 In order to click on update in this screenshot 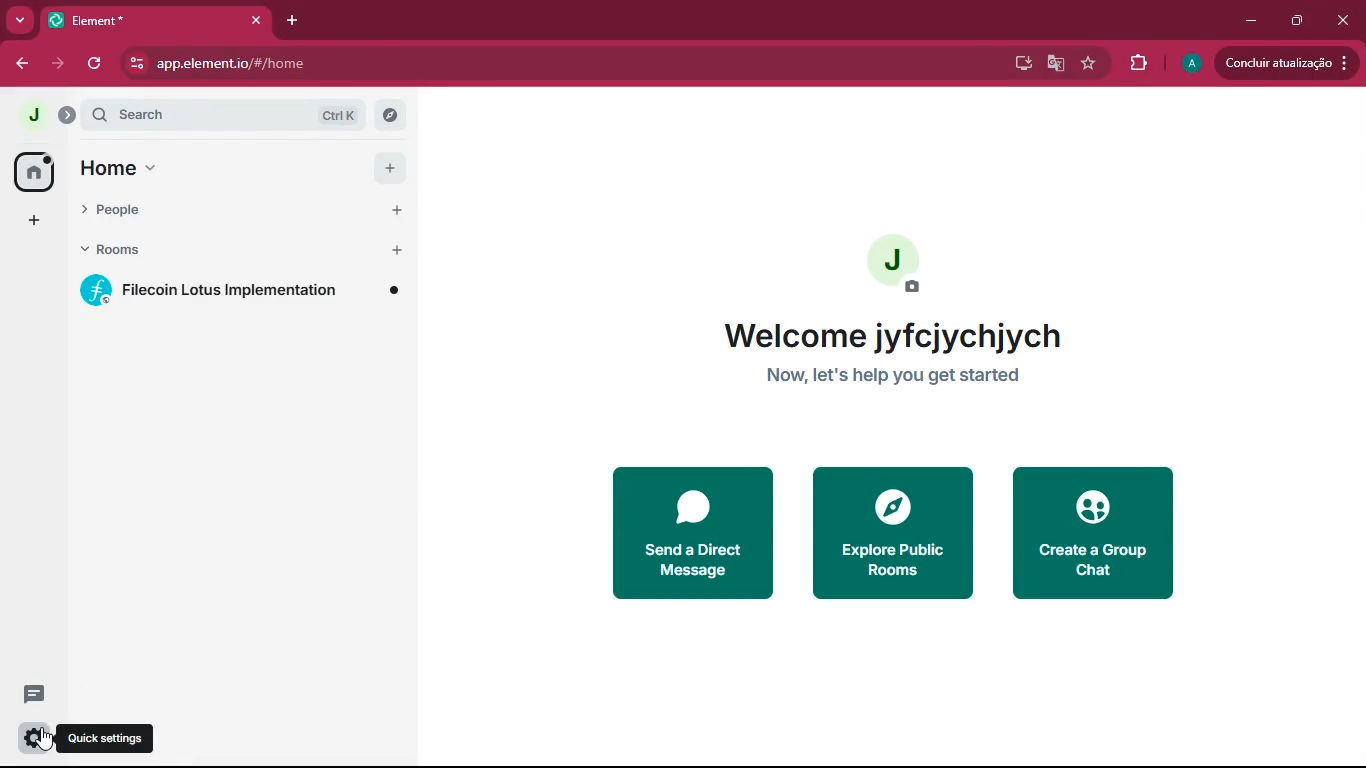, I will do `click(1285, 62)`.